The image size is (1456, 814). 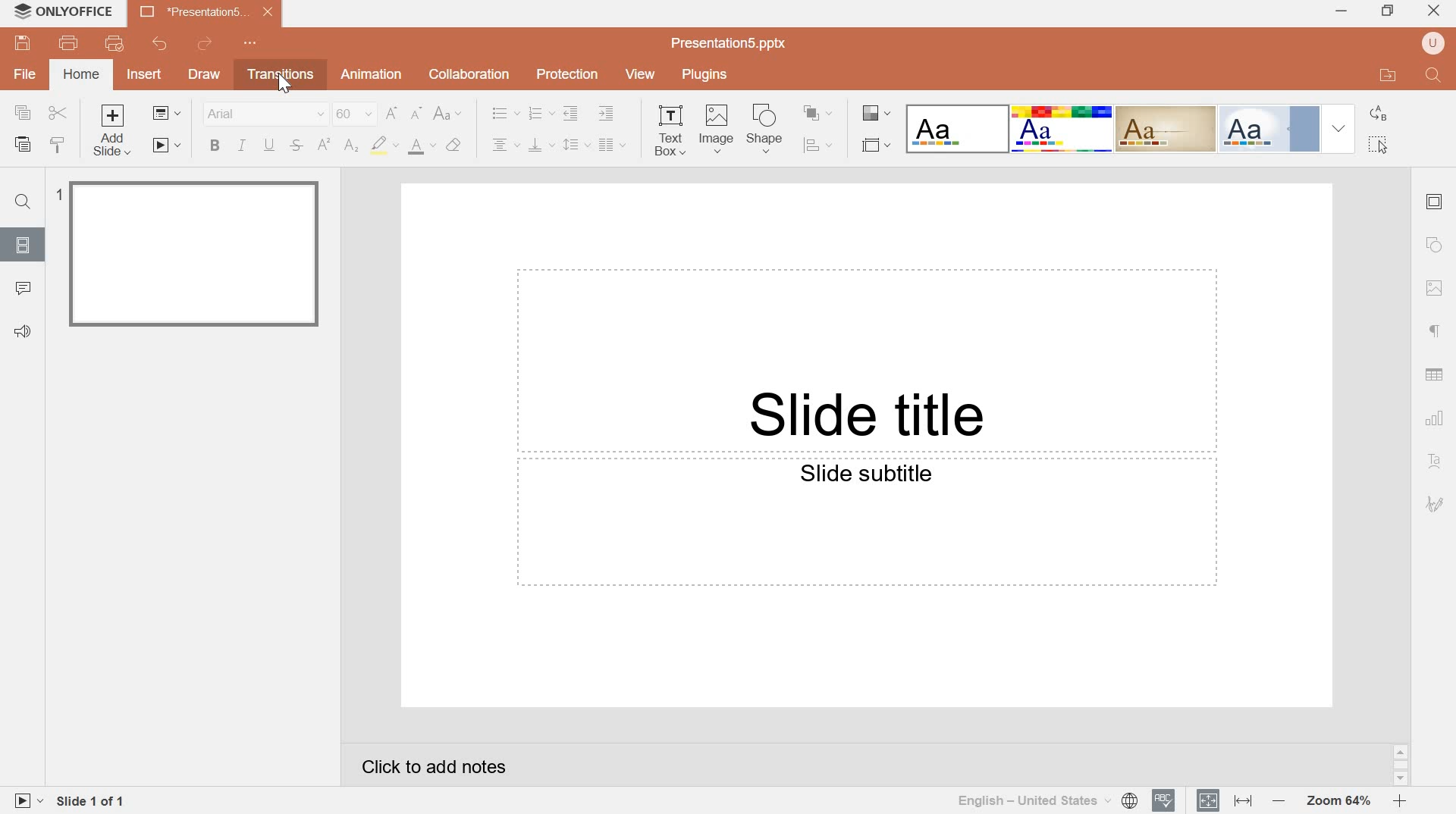 I want to click on change case, so click(x=448, y=113).